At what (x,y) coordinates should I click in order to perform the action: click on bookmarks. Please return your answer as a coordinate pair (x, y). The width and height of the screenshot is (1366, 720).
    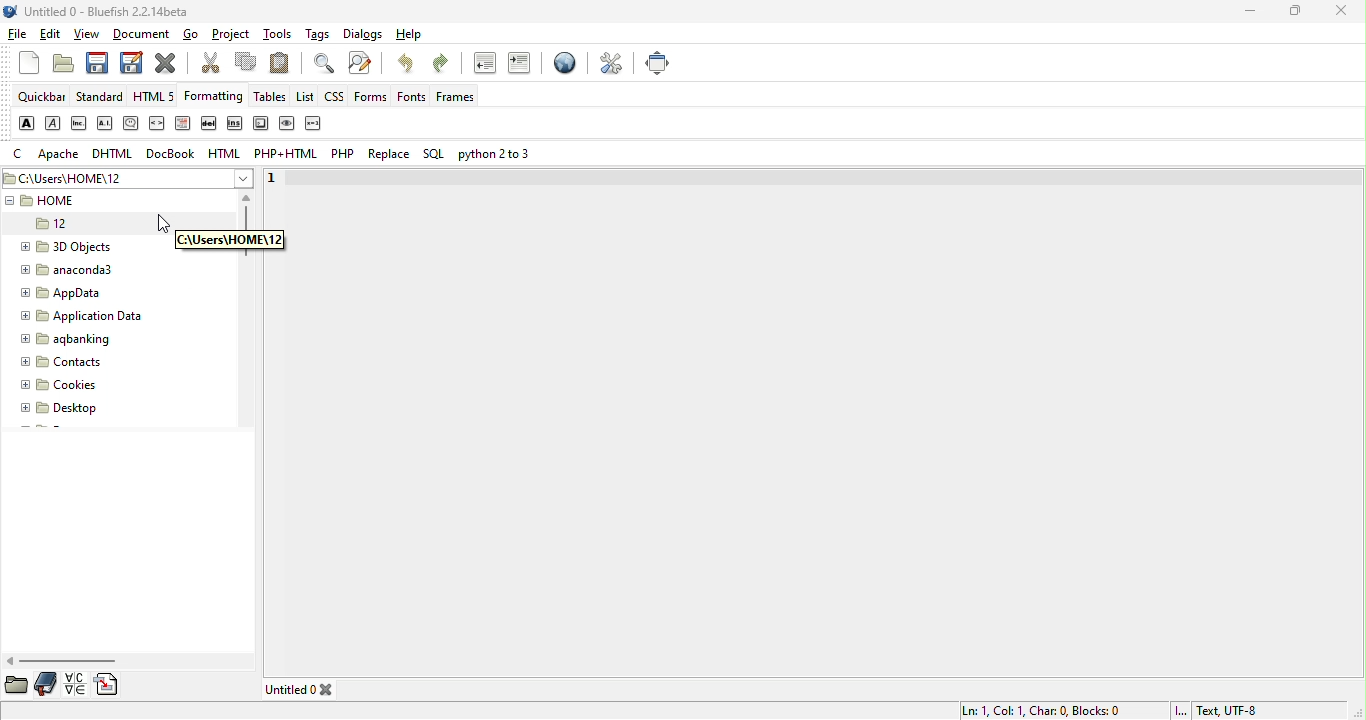
    Looking at the image, I should click on (48, 684).